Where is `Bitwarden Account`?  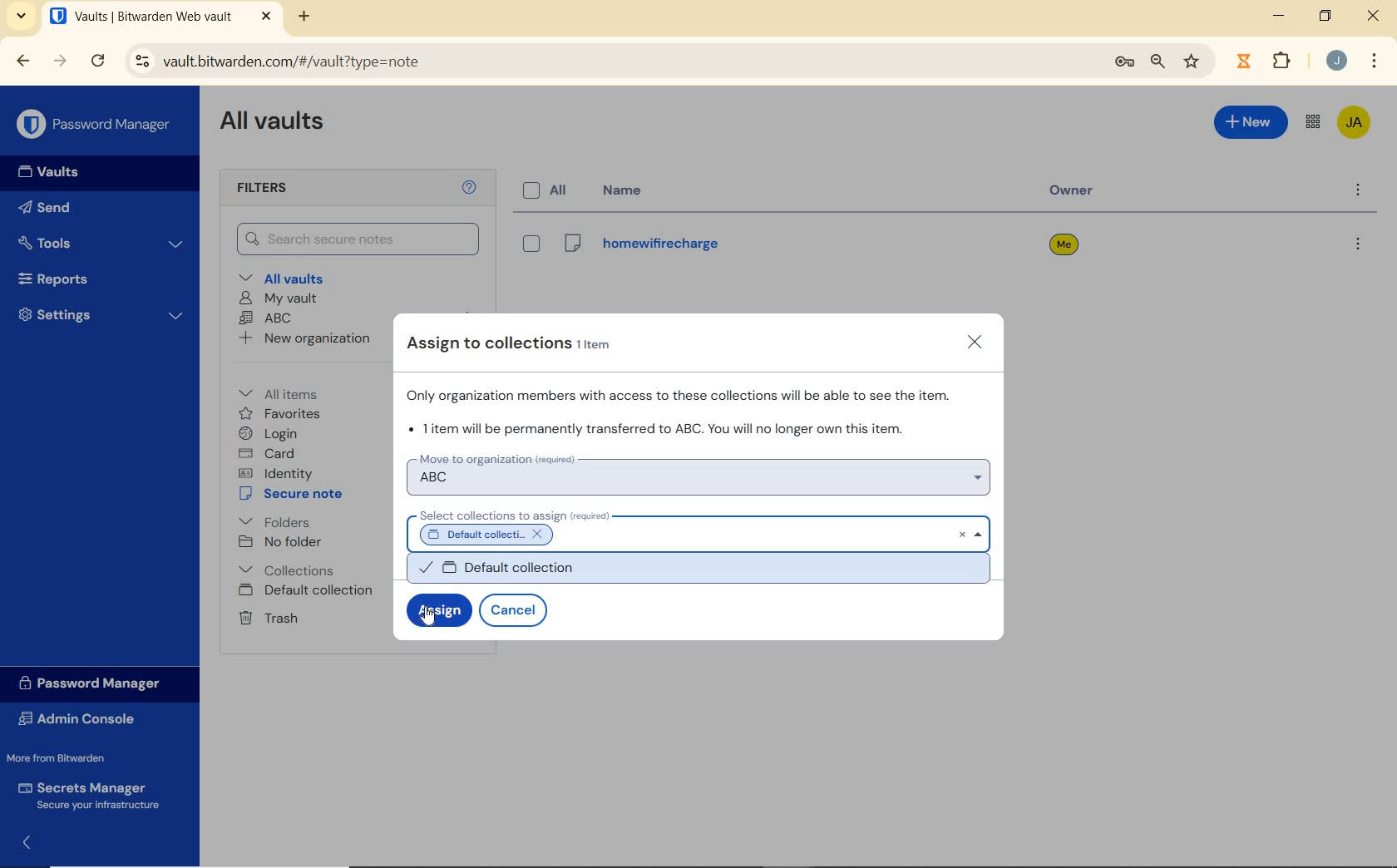
Bitwarden Account is located at coordinates (1355, 124).